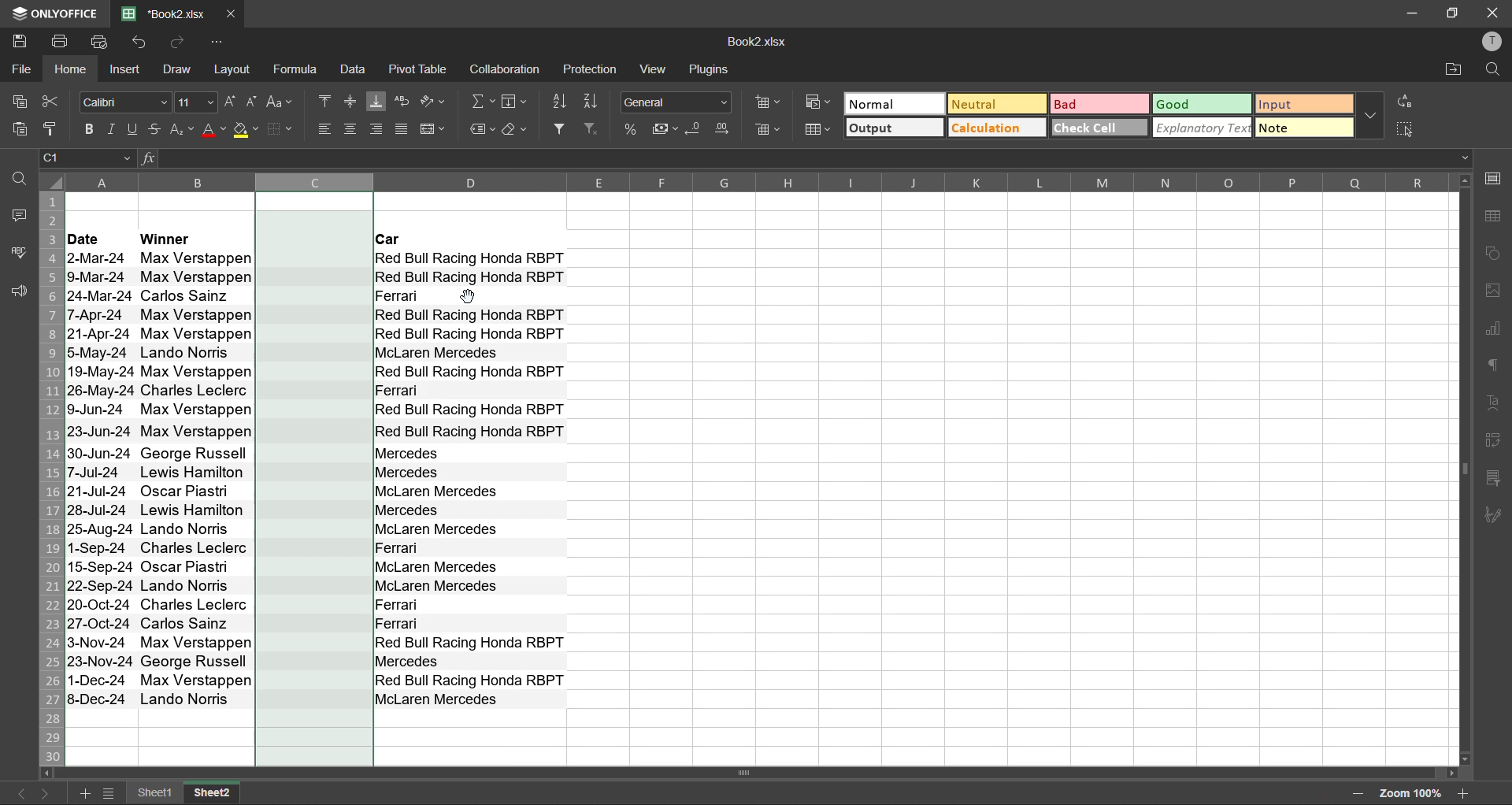 Image resolution: width=1512 pixels, height=805 pixels. Describe the element at coordinates (1301, 104) in the screenshot. I see `input` at that location.